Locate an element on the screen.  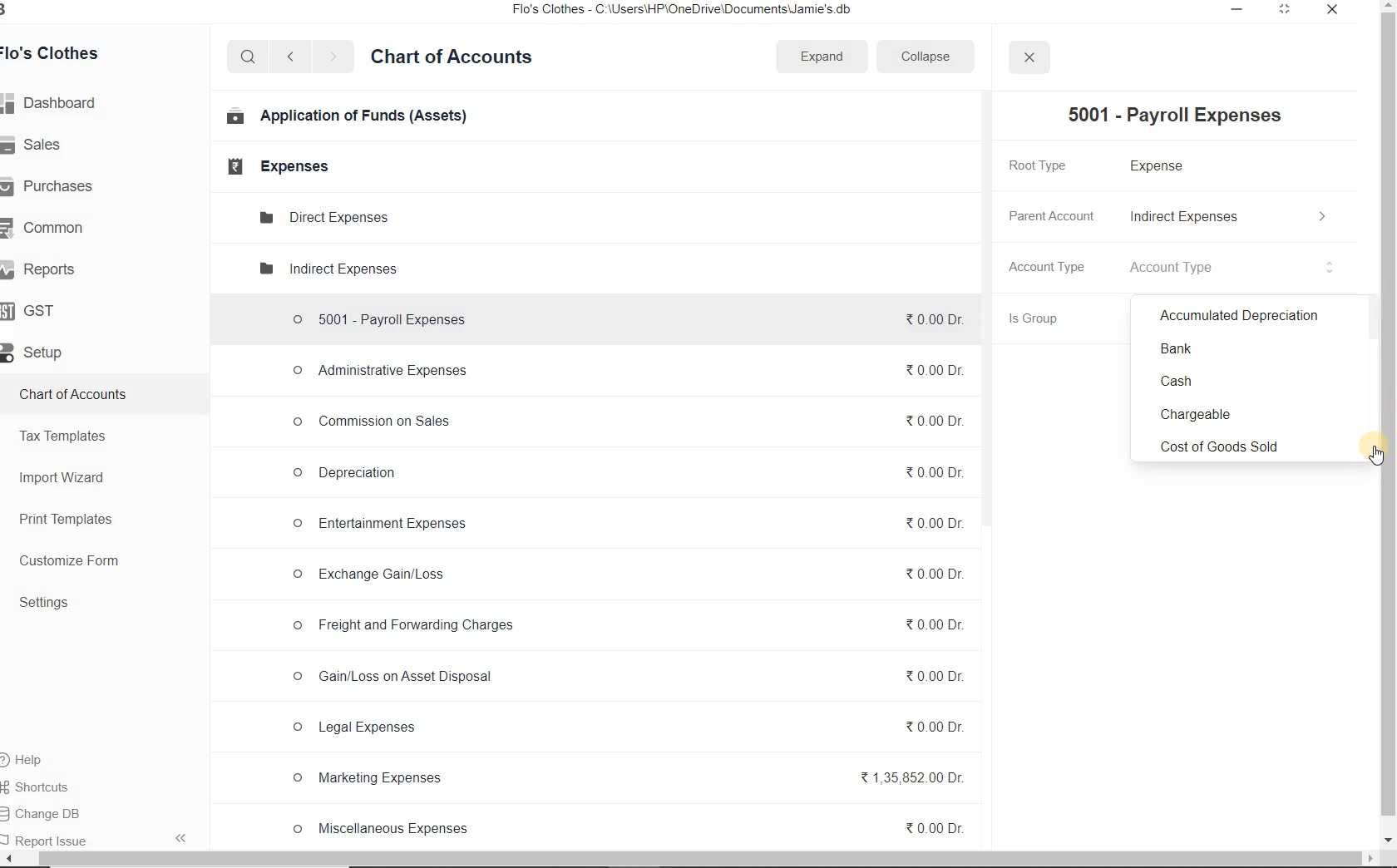
vertical scrollbar is located at coordinates (1370, 318).